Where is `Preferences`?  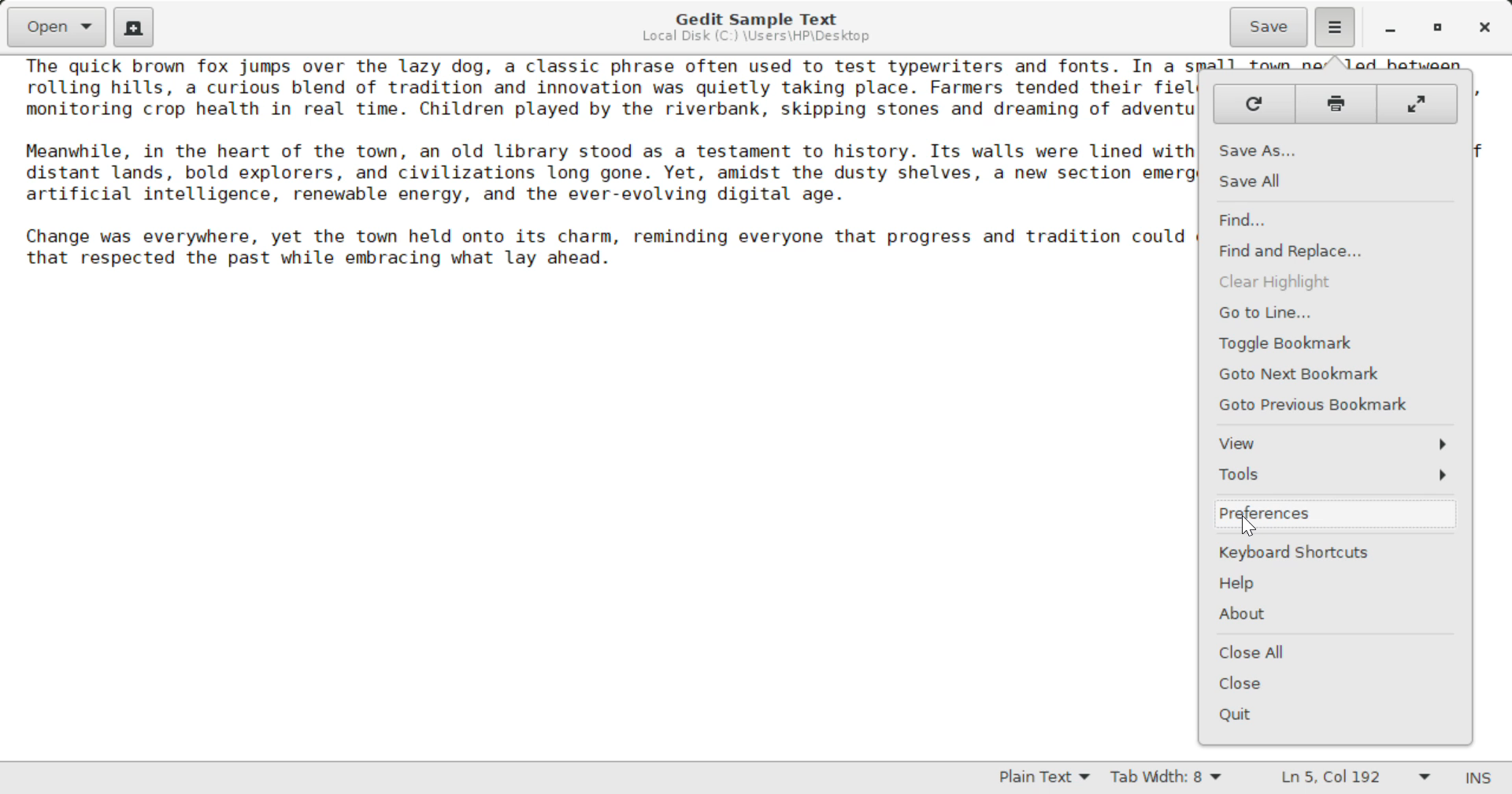
Preferences is located at coordinates (1334, 515).